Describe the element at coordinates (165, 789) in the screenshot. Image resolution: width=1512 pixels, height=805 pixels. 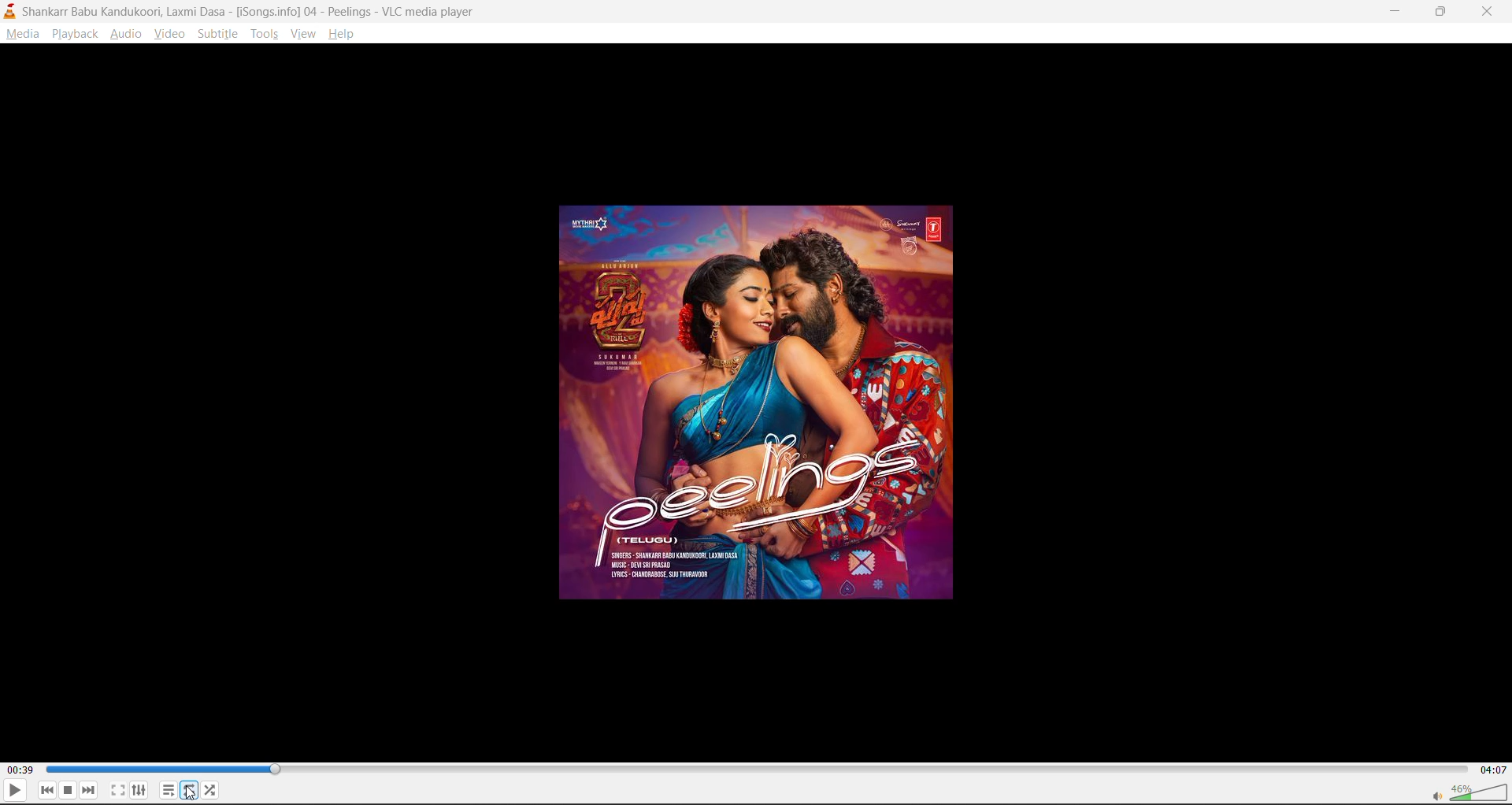
I see `playlist` at that location.